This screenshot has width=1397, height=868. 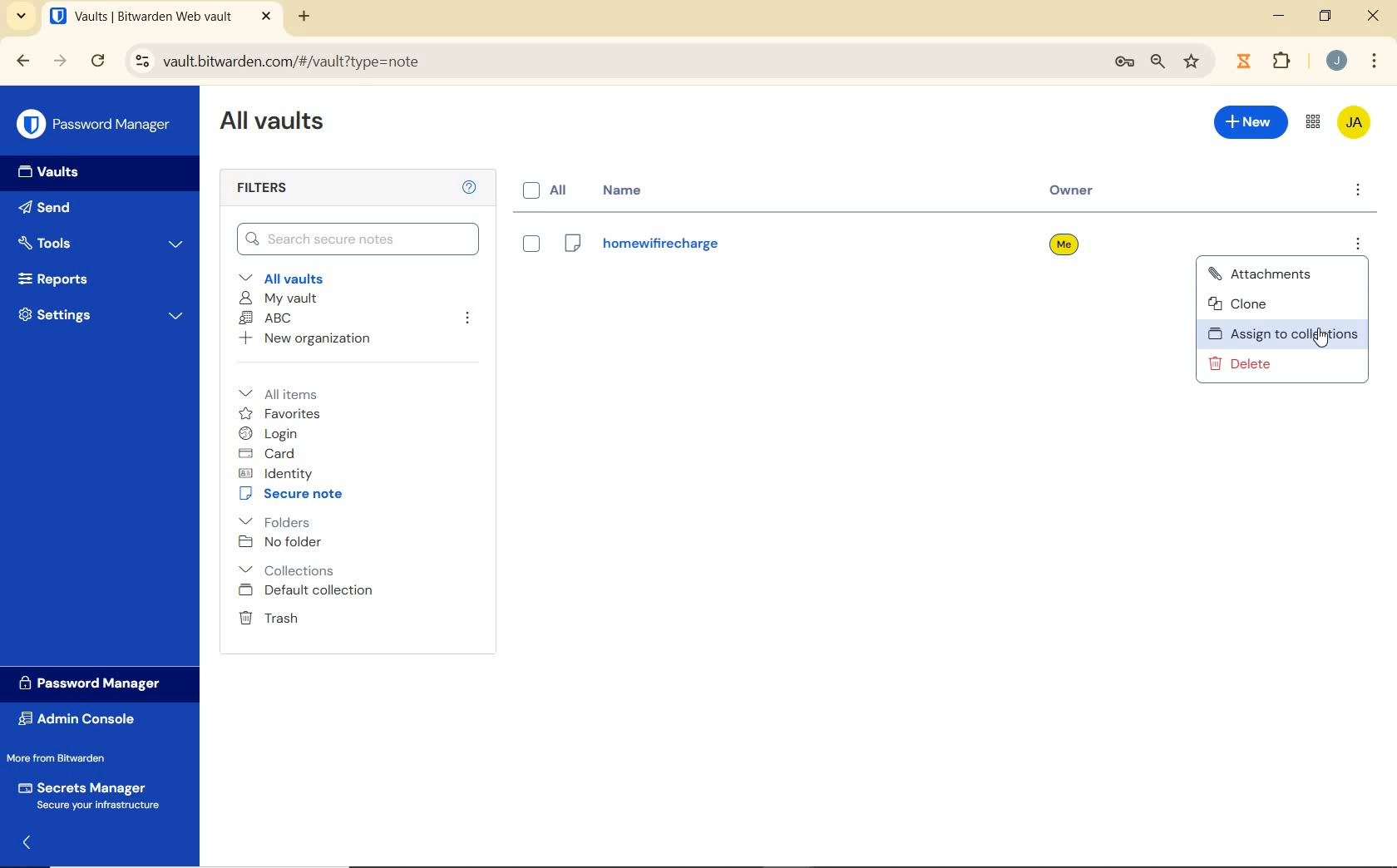 What do you see at coordinates (1320, 342) in the screenshot?
I see `Mouse Cursor` at bounding box center [1320, 342].